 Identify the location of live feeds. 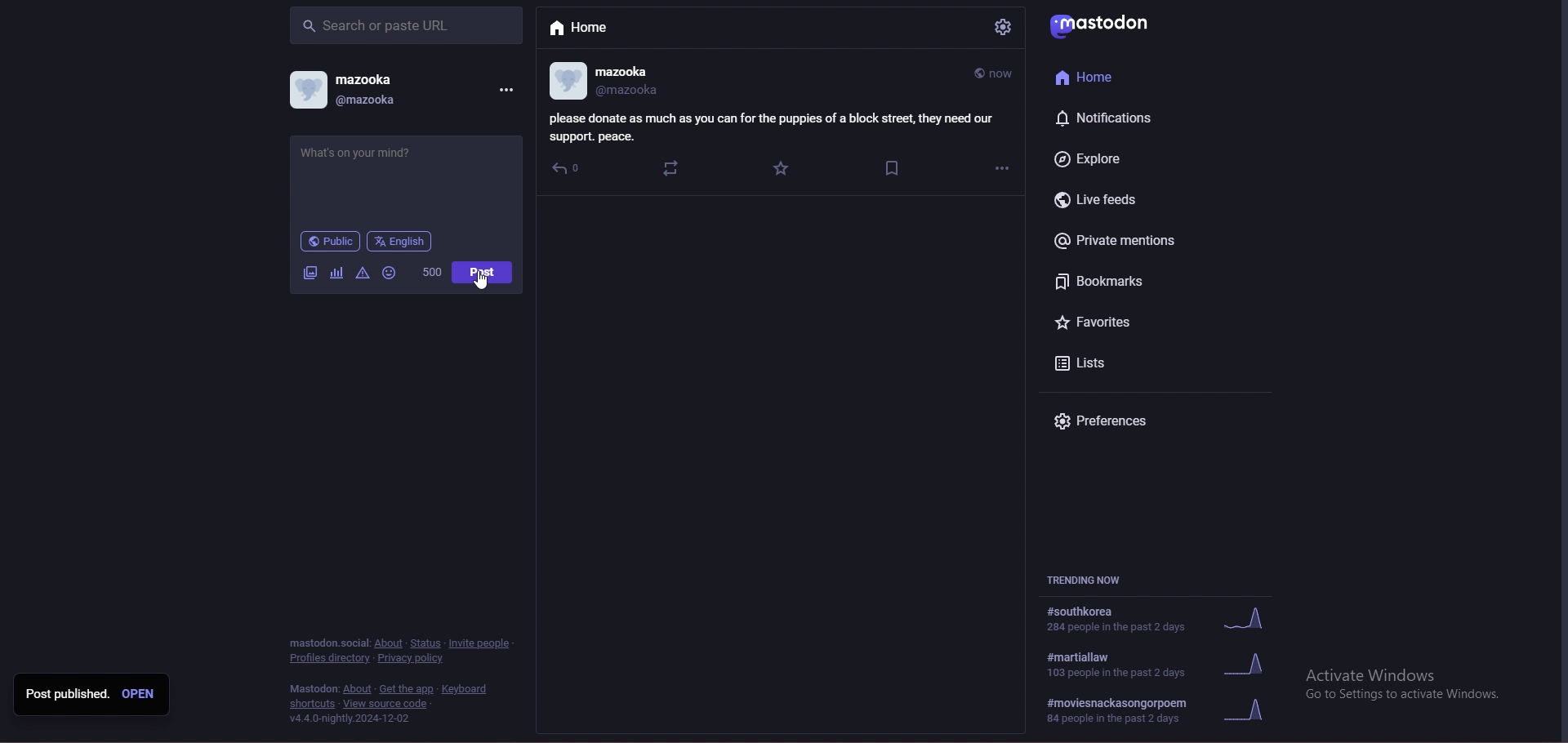
(1143, 200).